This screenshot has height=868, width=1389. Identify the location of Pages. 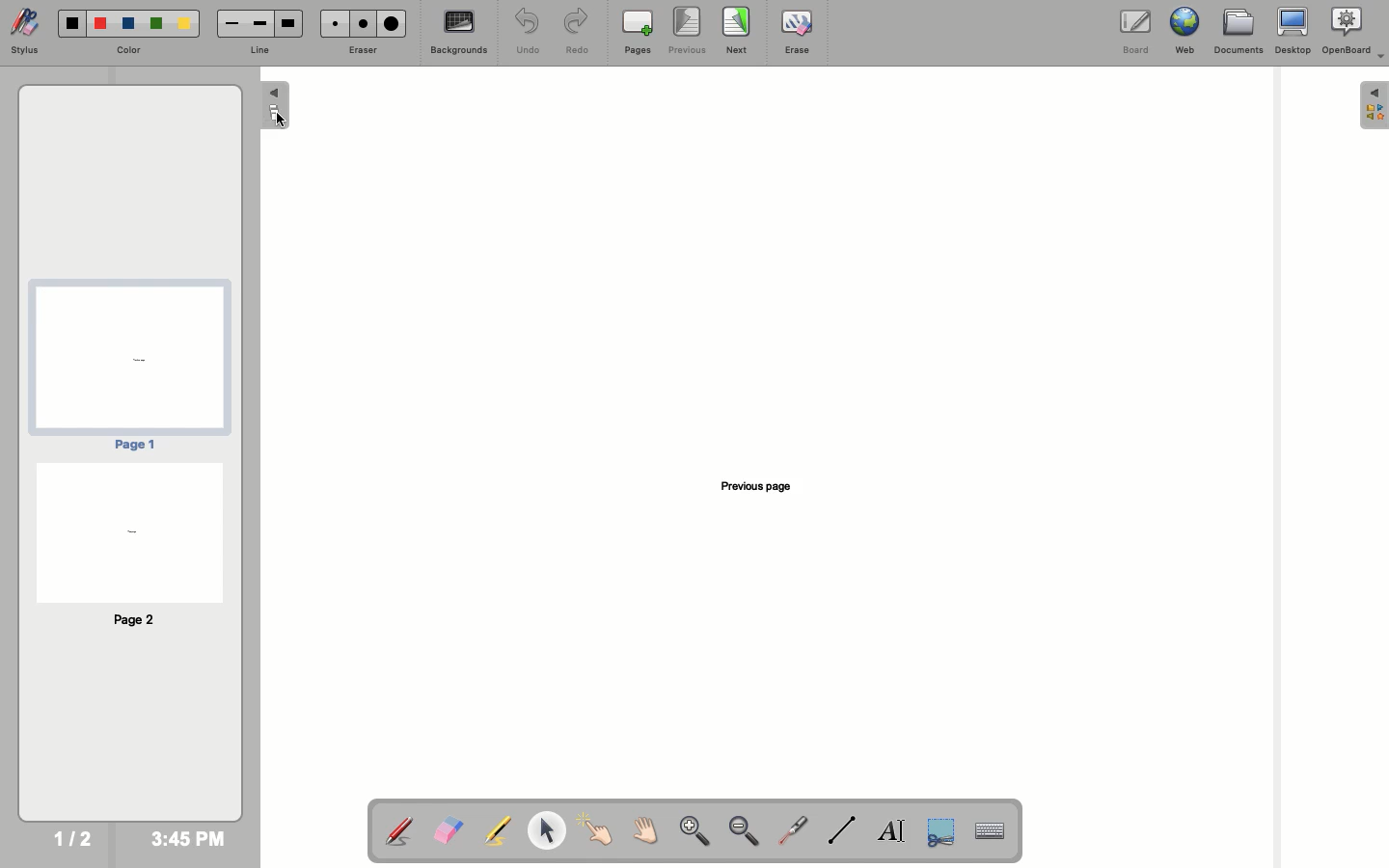
(638, 32).